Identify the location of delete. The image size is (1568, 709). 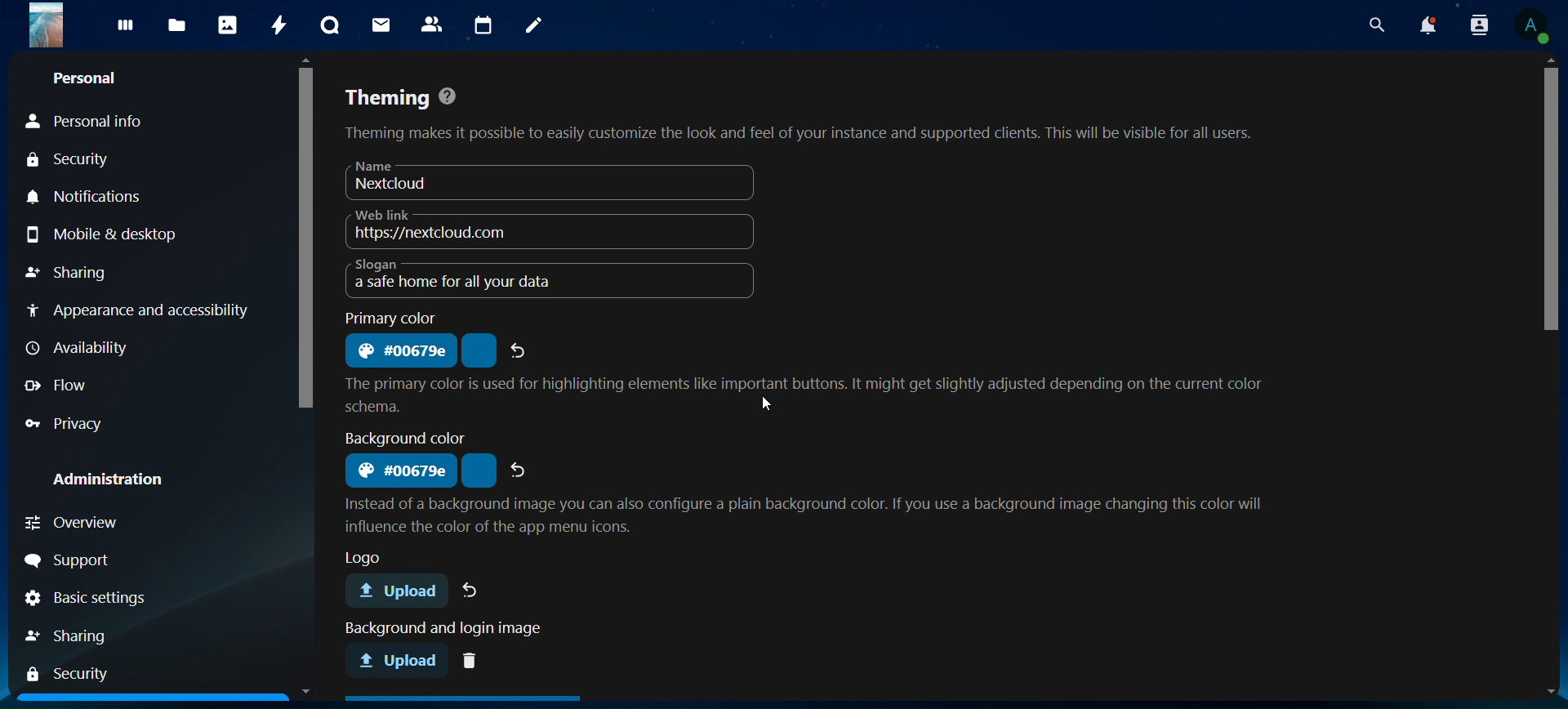
(474, 659).